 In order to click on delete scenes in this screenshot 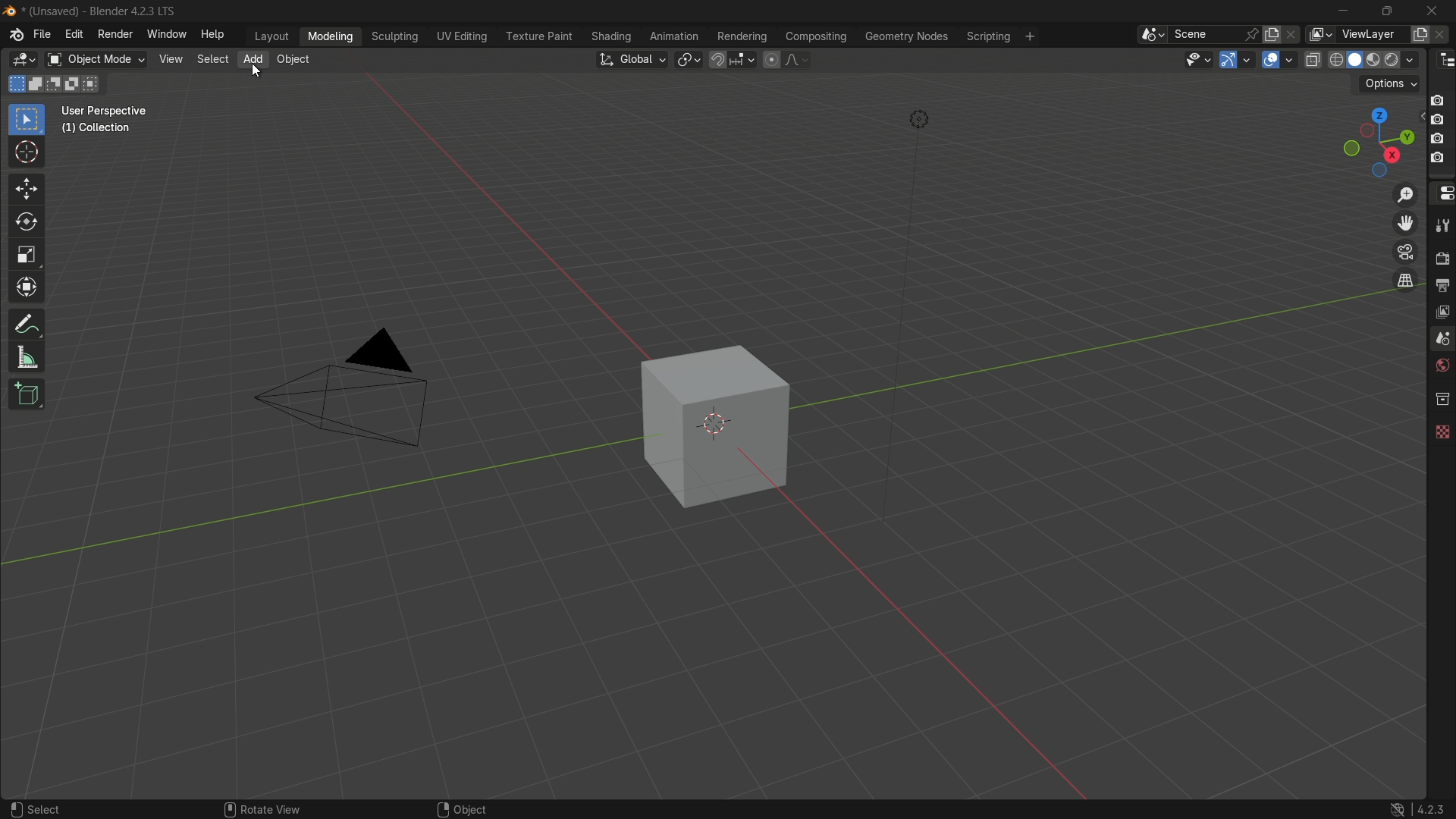, I will do `click(1295, 36)`.